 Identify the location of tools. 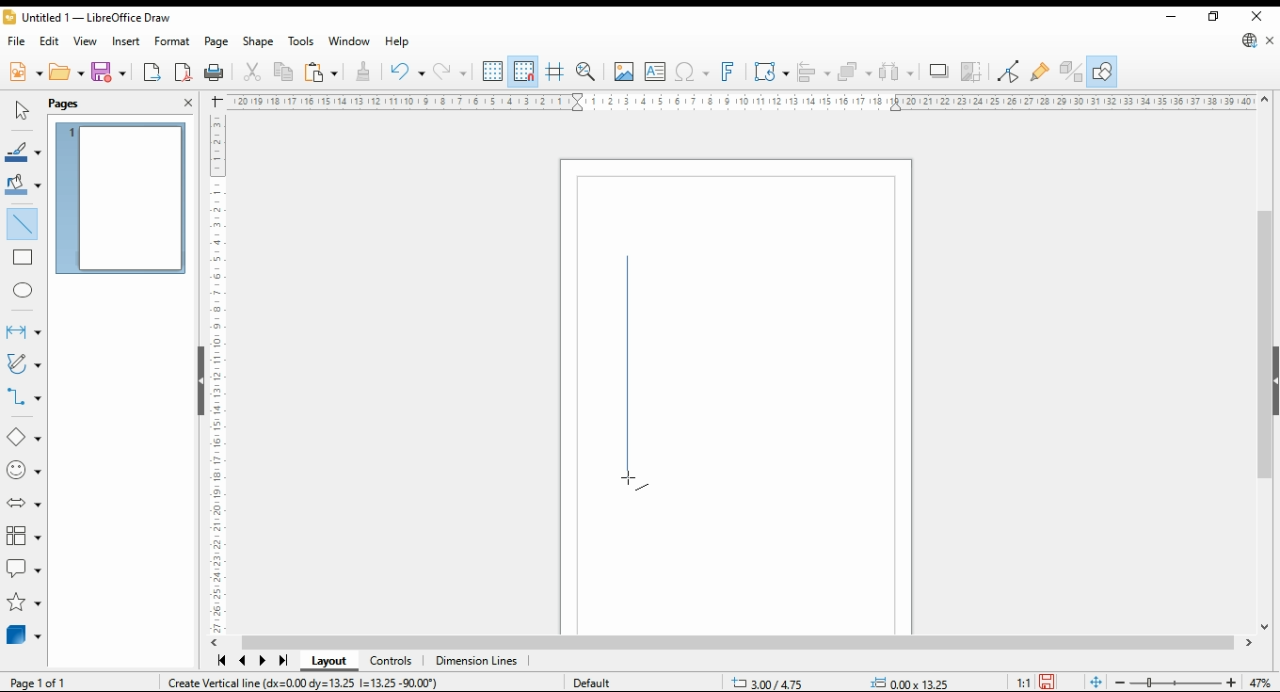
(301, 40).